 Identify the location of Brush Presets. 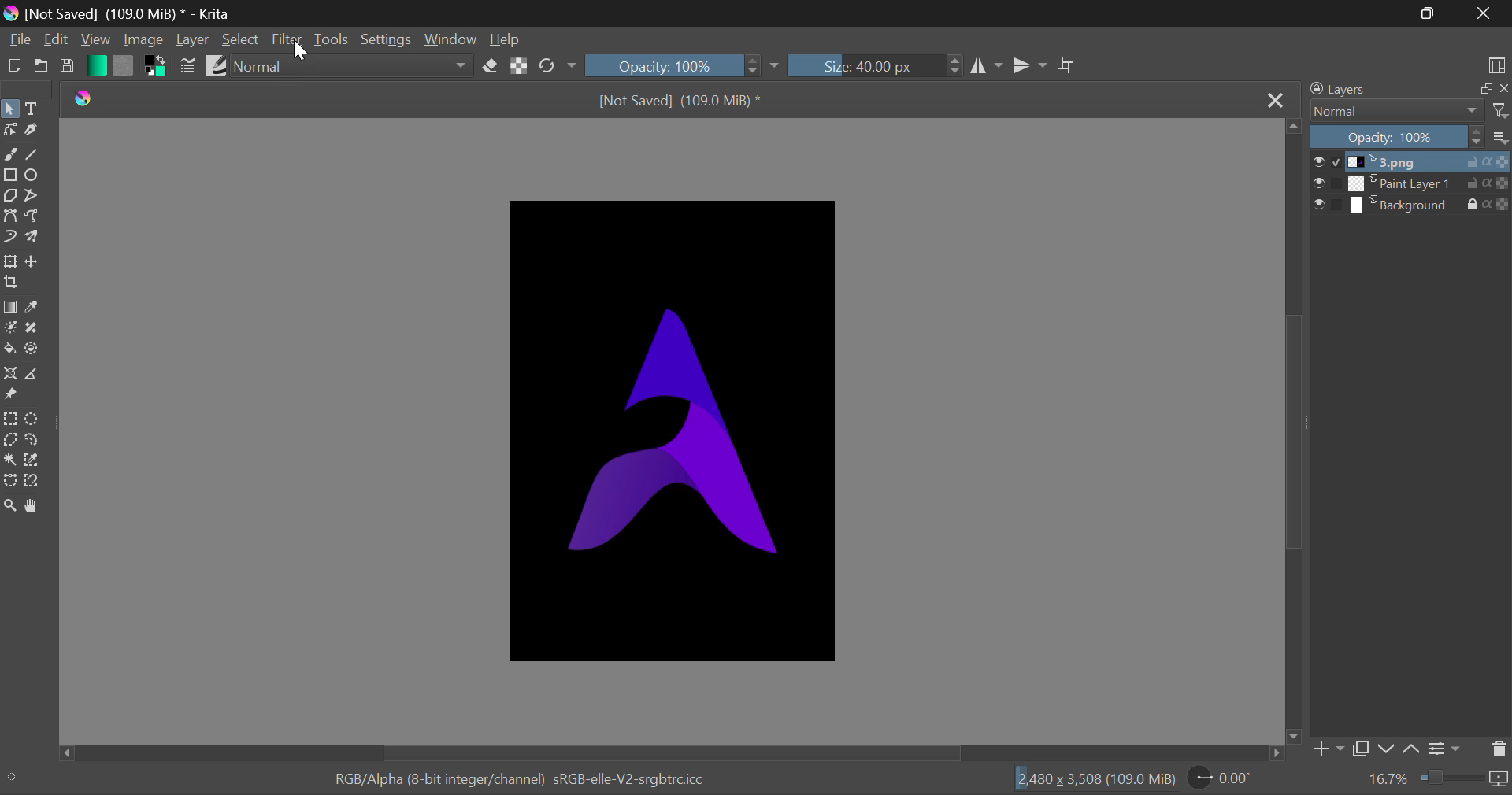
(216, 65).